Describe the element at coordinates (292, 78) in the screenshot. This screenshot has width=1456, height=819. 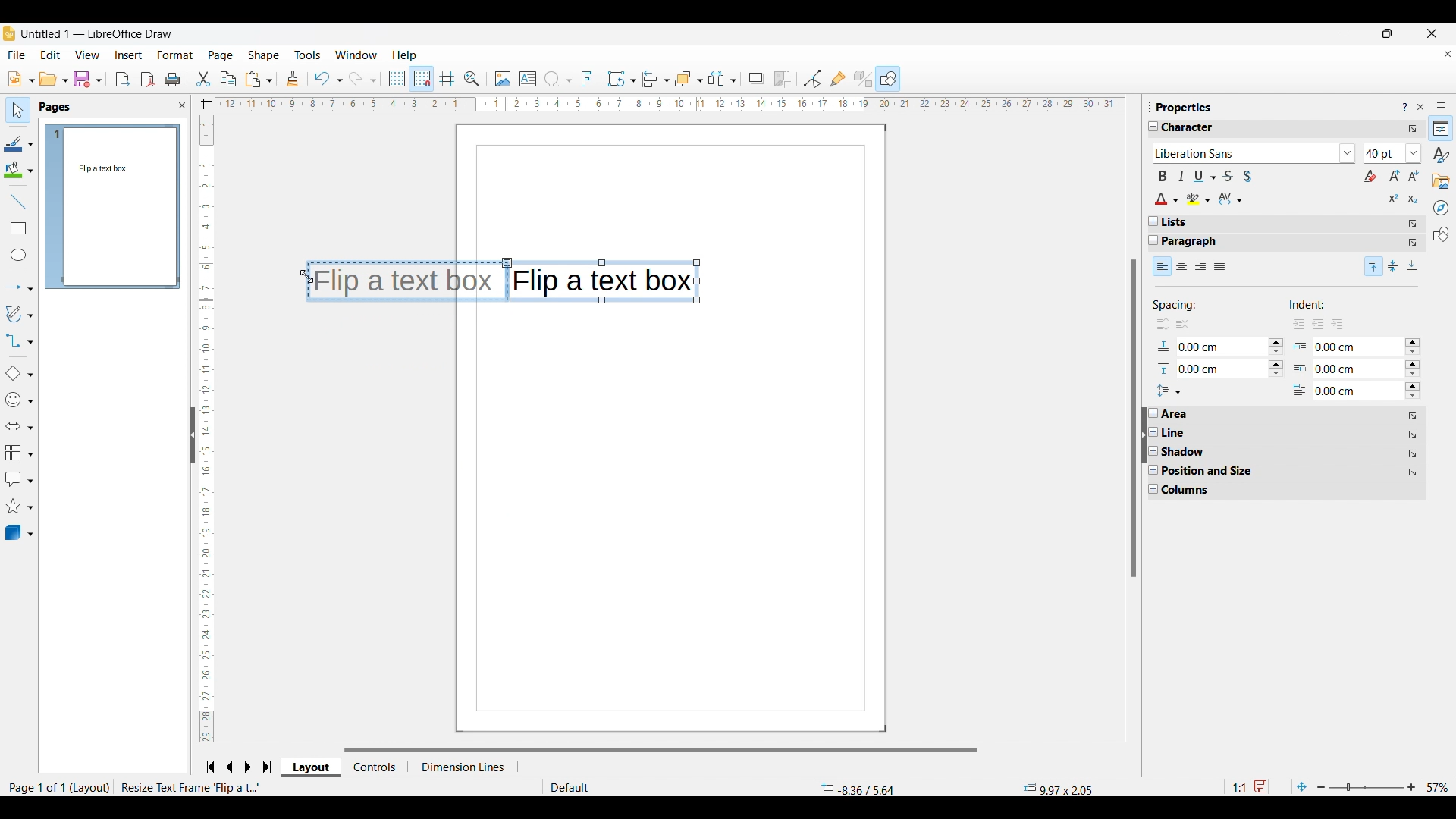
I see `Clone formatting` at that location.